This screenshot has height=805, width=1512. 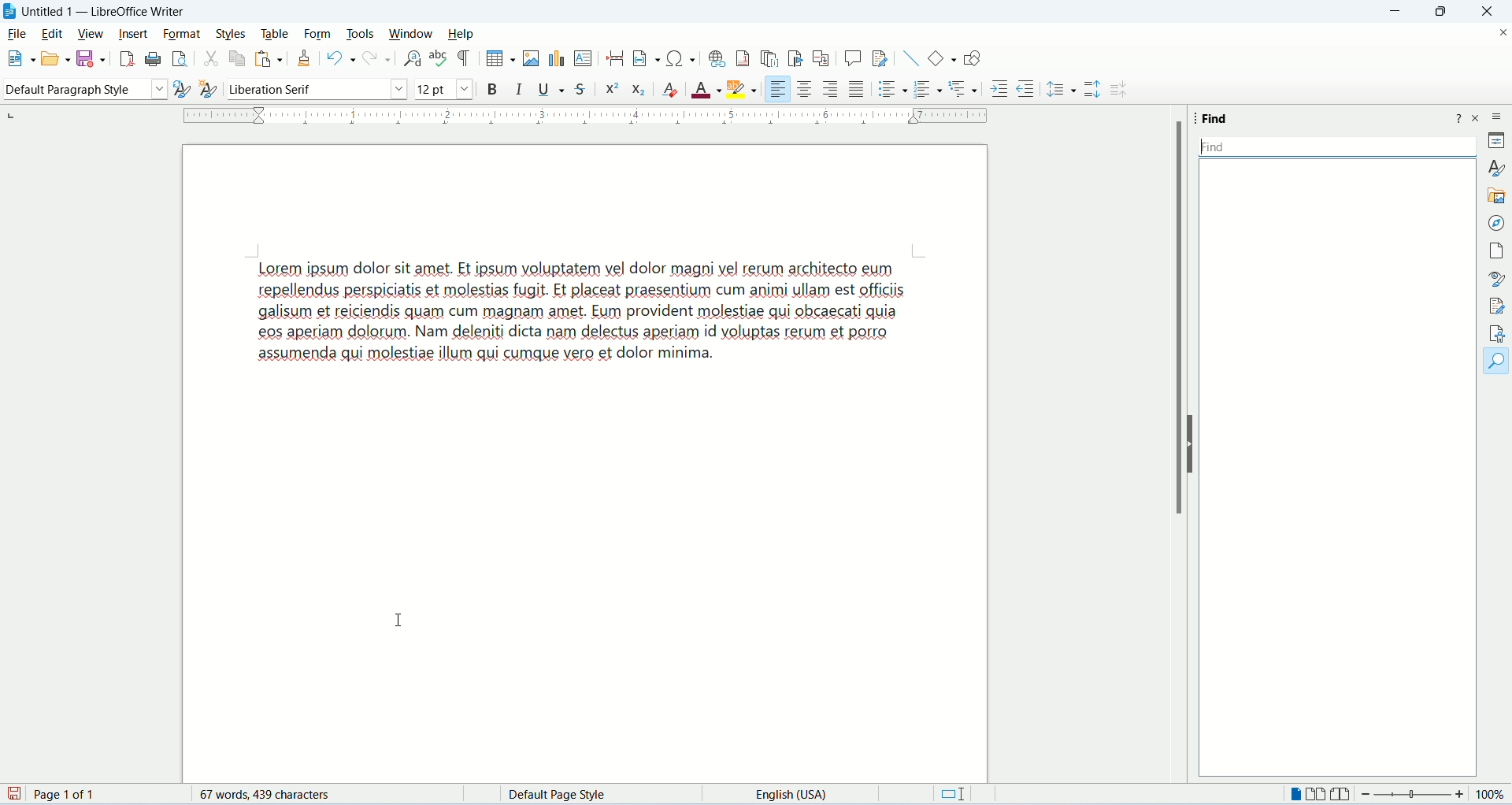 What do you see at coordinates (411, 32) in the screenshot?
I see `window` at bounding box center [411, 32].